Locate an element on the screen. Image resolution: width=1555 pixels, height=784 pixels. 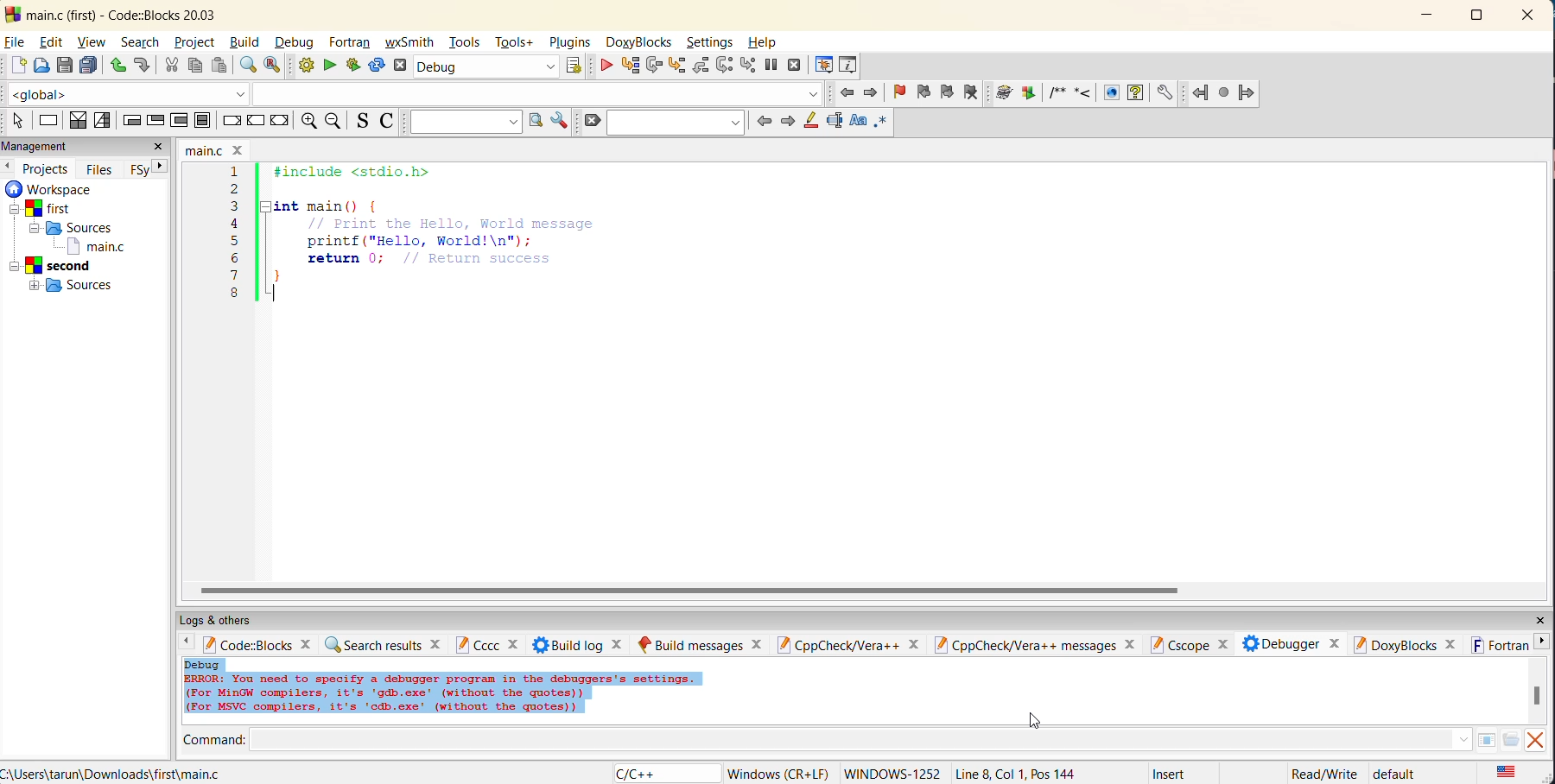
files is located at coordinates (103, 168).